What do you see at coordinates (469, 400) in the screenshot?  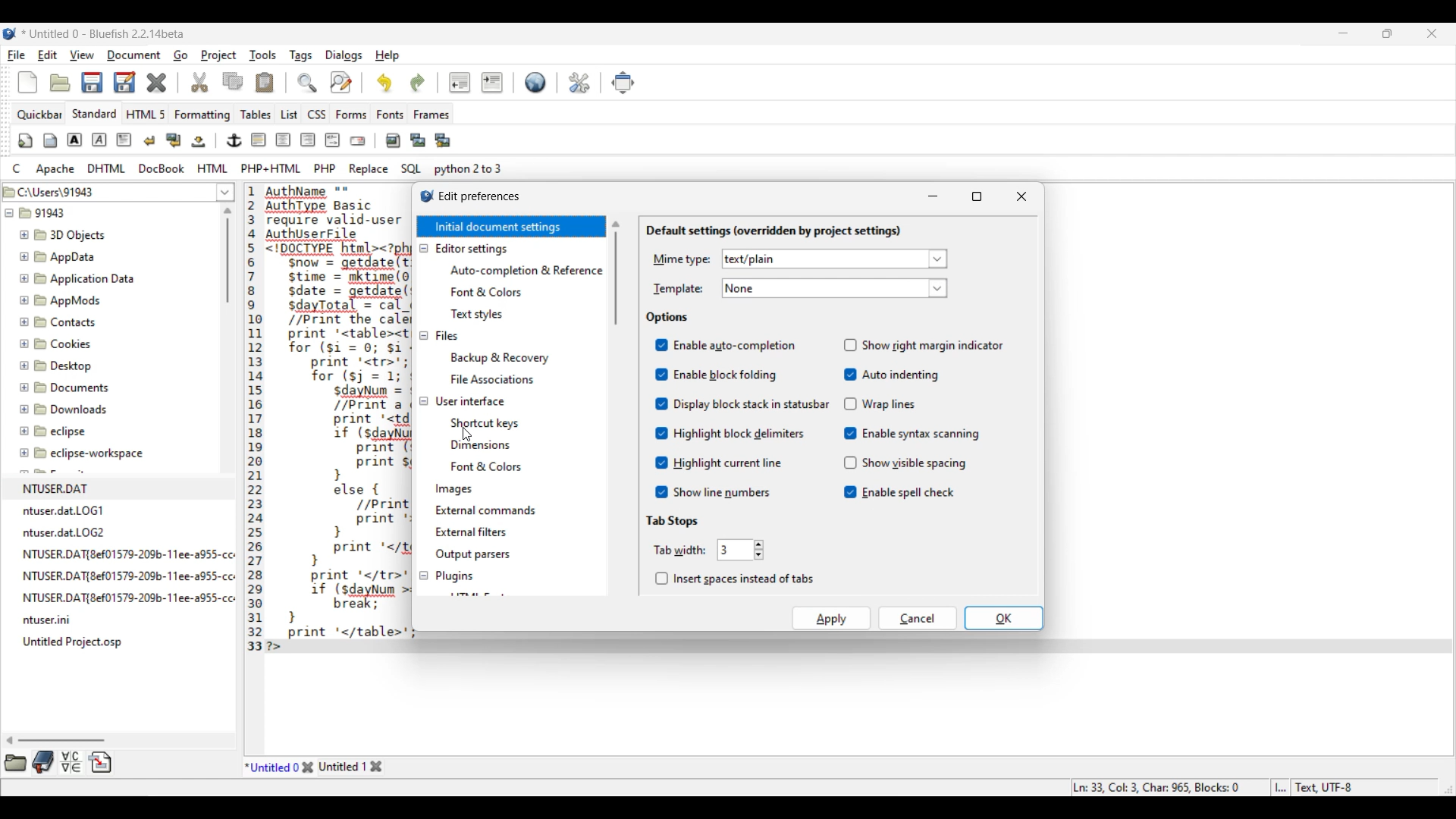 I see `User interface settings` at bounding box center [469, 400].